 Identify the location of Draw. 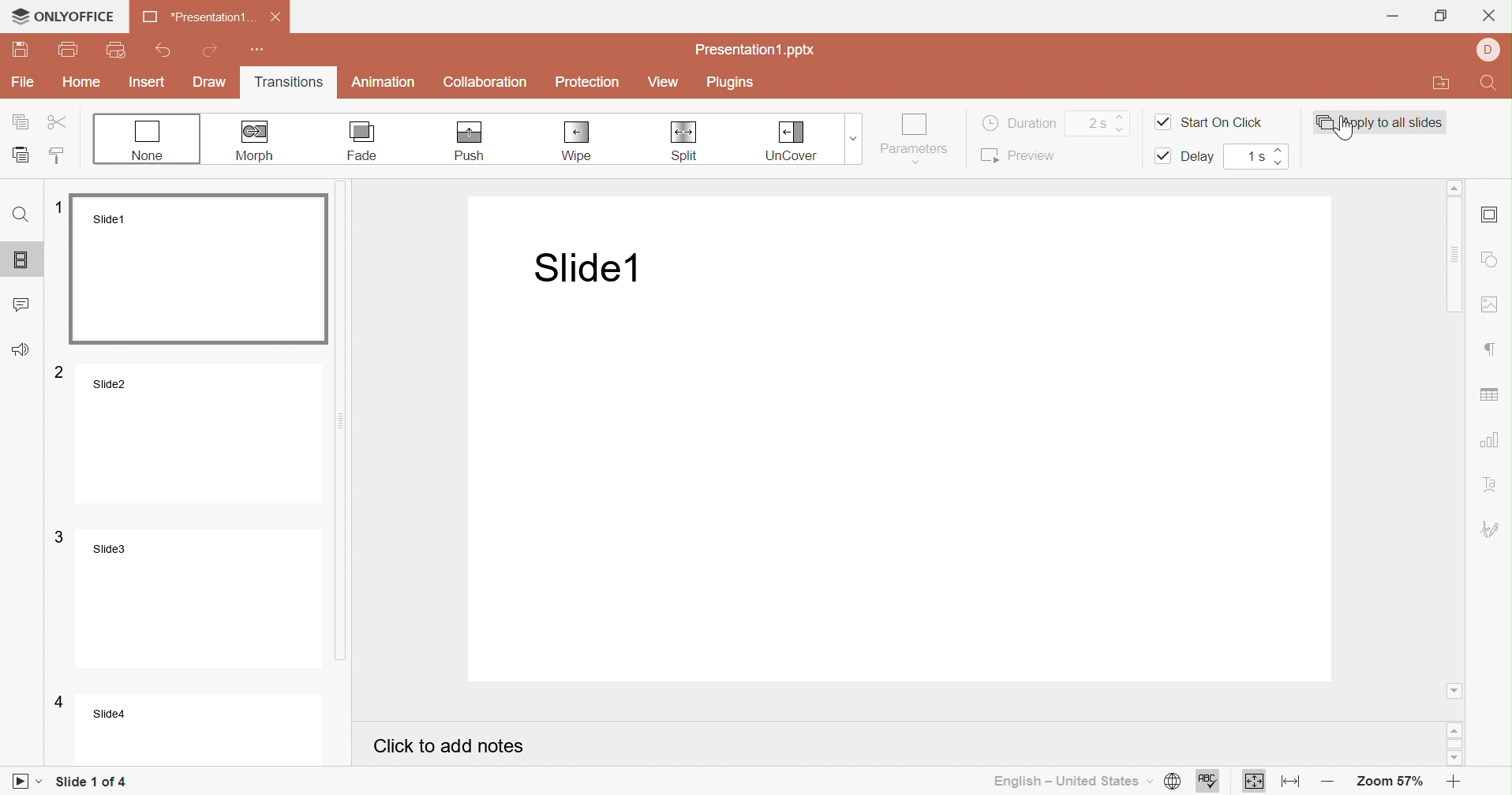
(211, 82).